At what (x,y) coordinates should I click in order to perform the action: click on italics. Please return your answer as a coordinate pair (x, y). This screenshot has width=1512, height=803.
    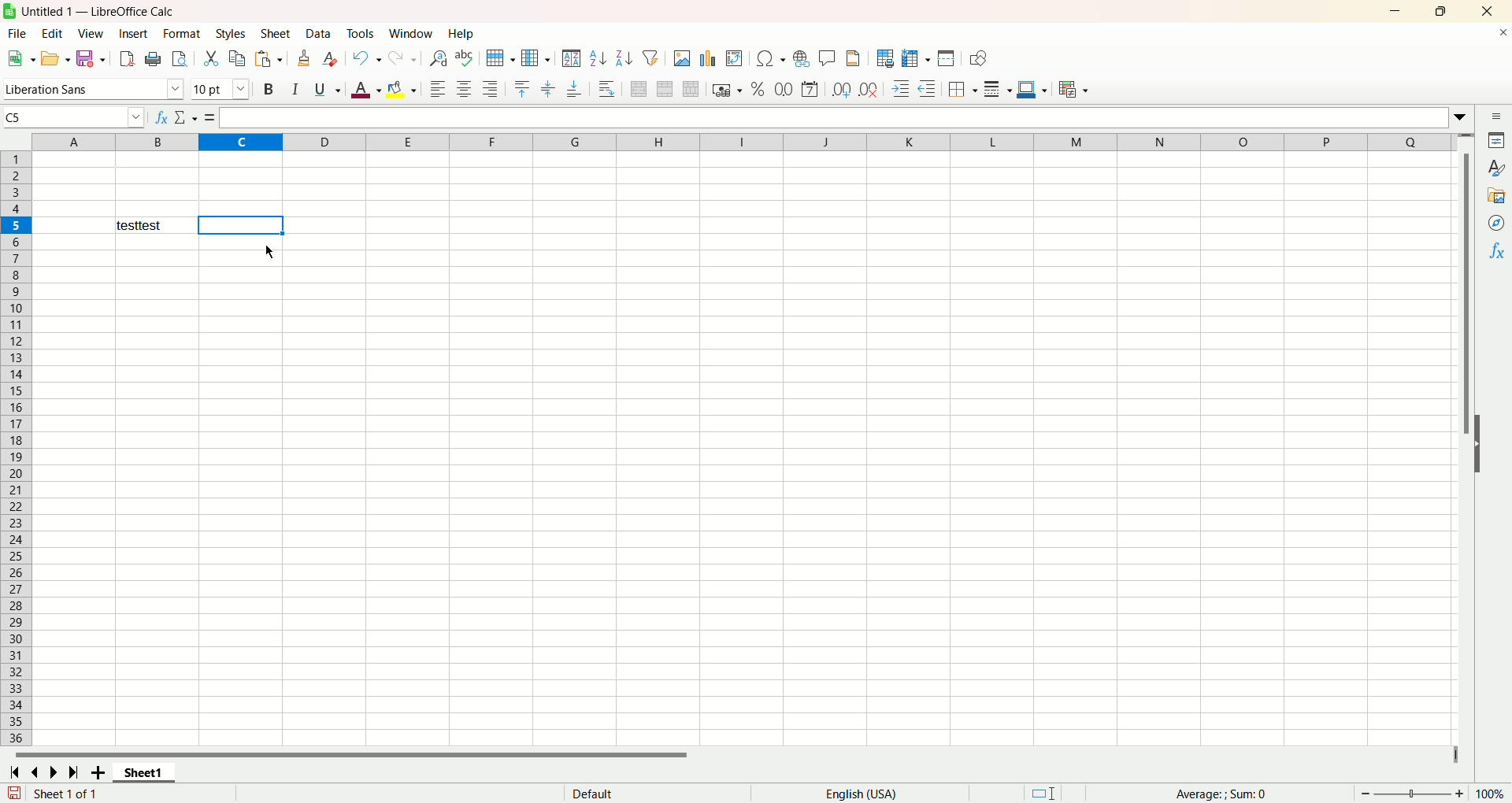
    Looking at the image, I should click on (295, 91).